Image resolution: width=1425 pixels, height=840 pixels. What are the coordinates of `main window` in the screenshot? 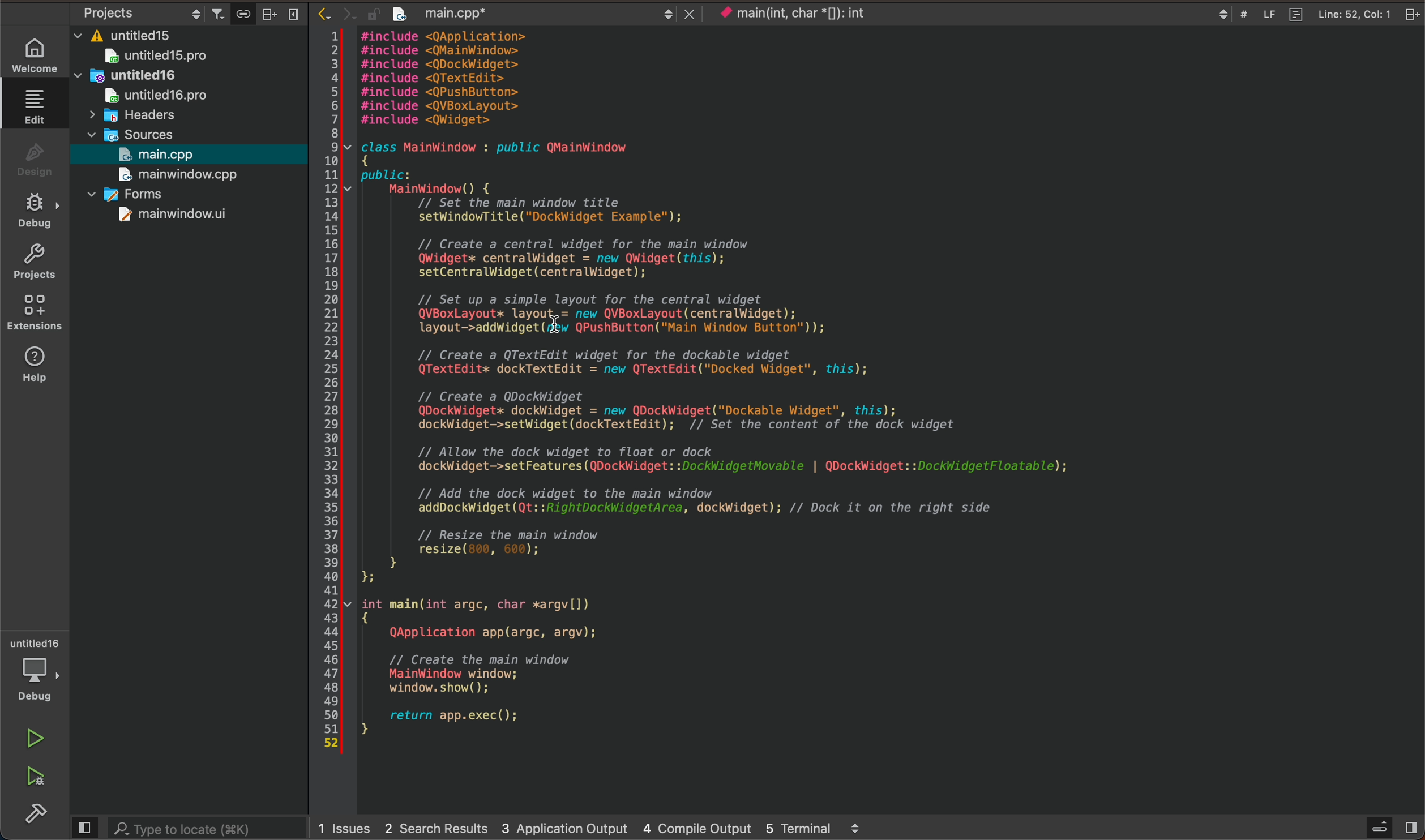 It's located at (186, 174).